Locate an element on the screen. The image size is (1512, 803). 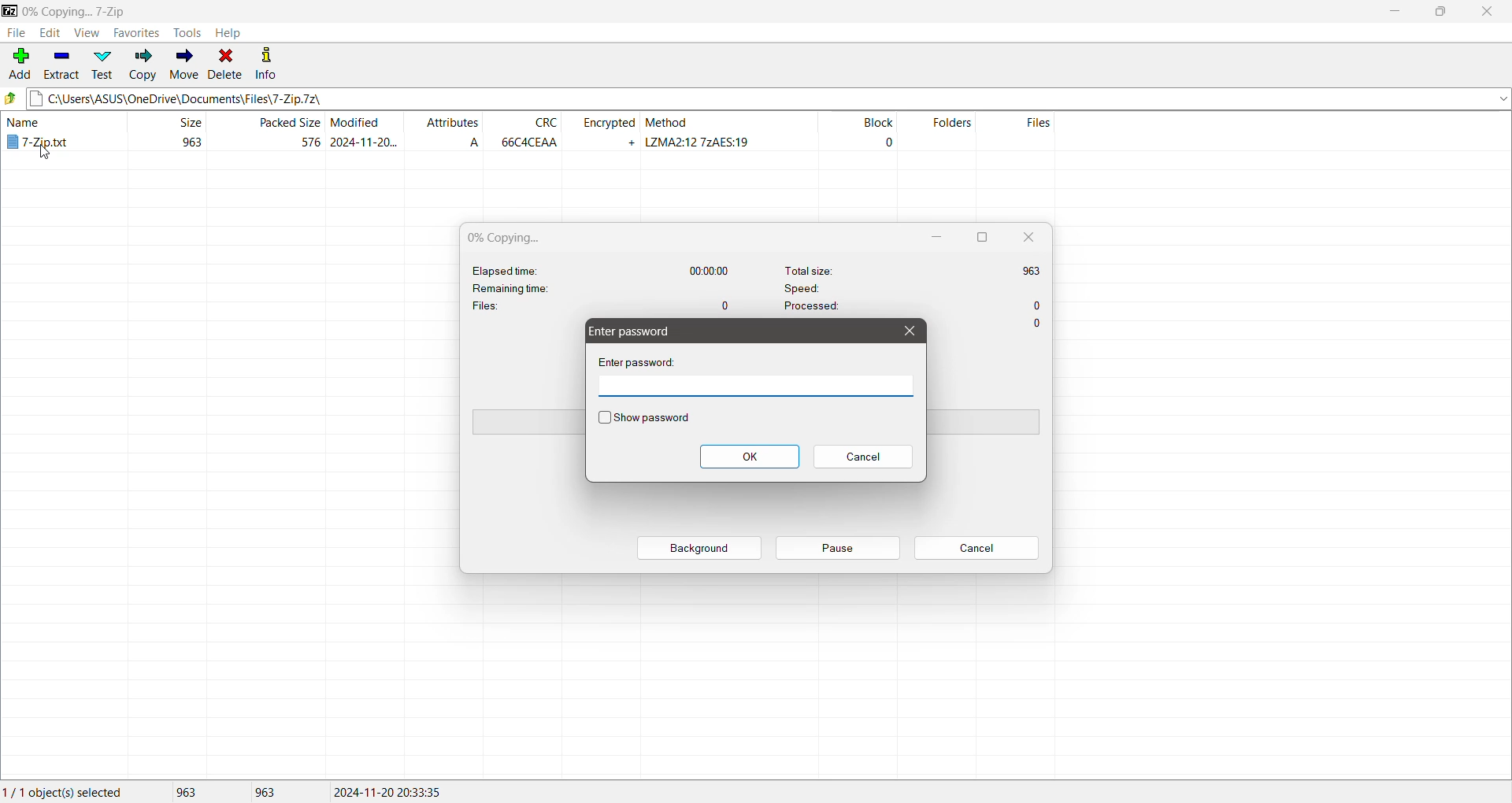
Enter password is located at coordinates (643, 361).